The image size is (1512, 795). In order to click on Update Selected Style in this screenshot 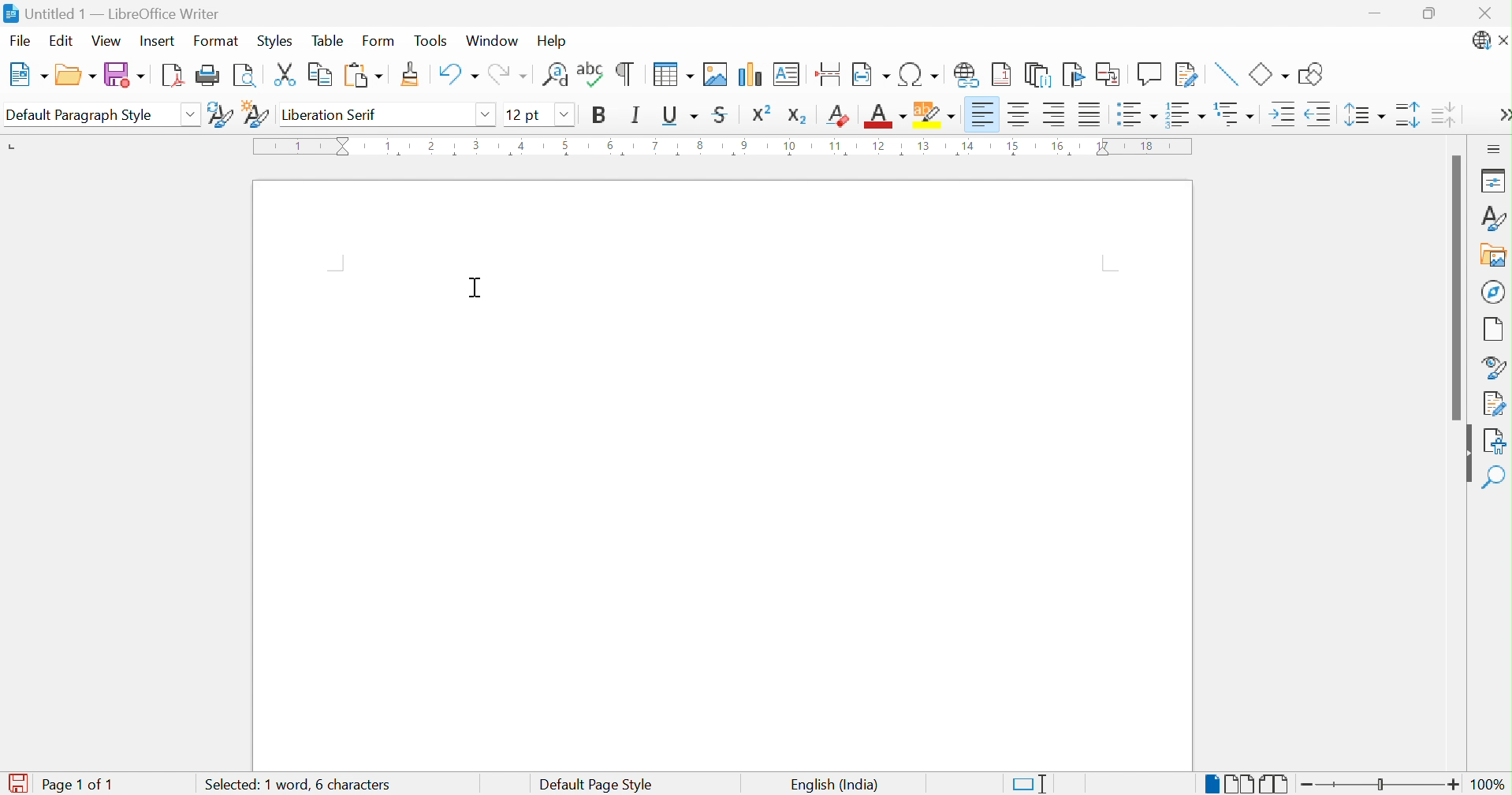, I will do `click(218, 114)`.